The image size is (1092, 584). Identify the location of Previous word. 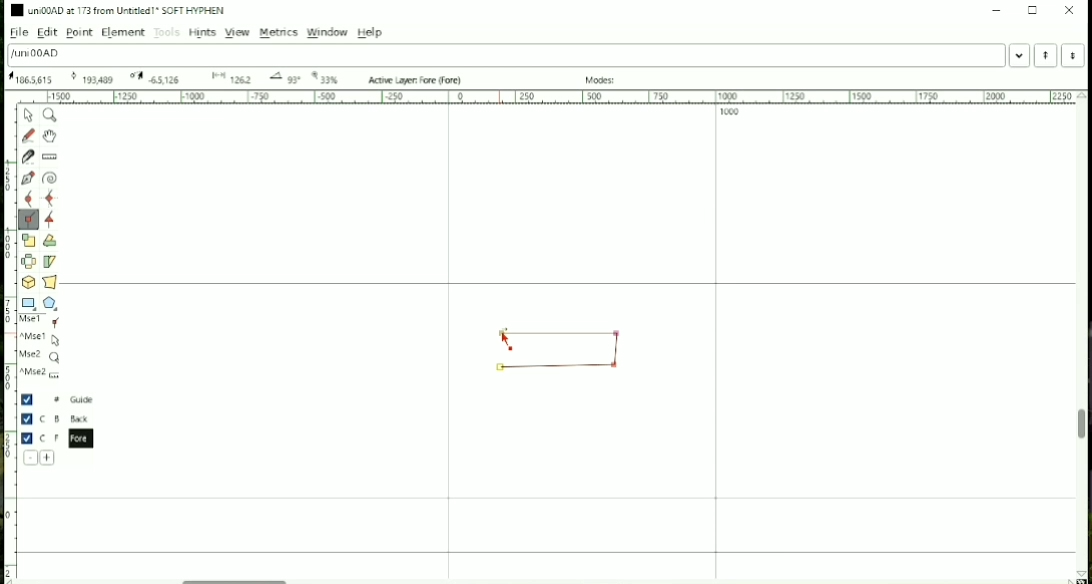
(1045, 55).